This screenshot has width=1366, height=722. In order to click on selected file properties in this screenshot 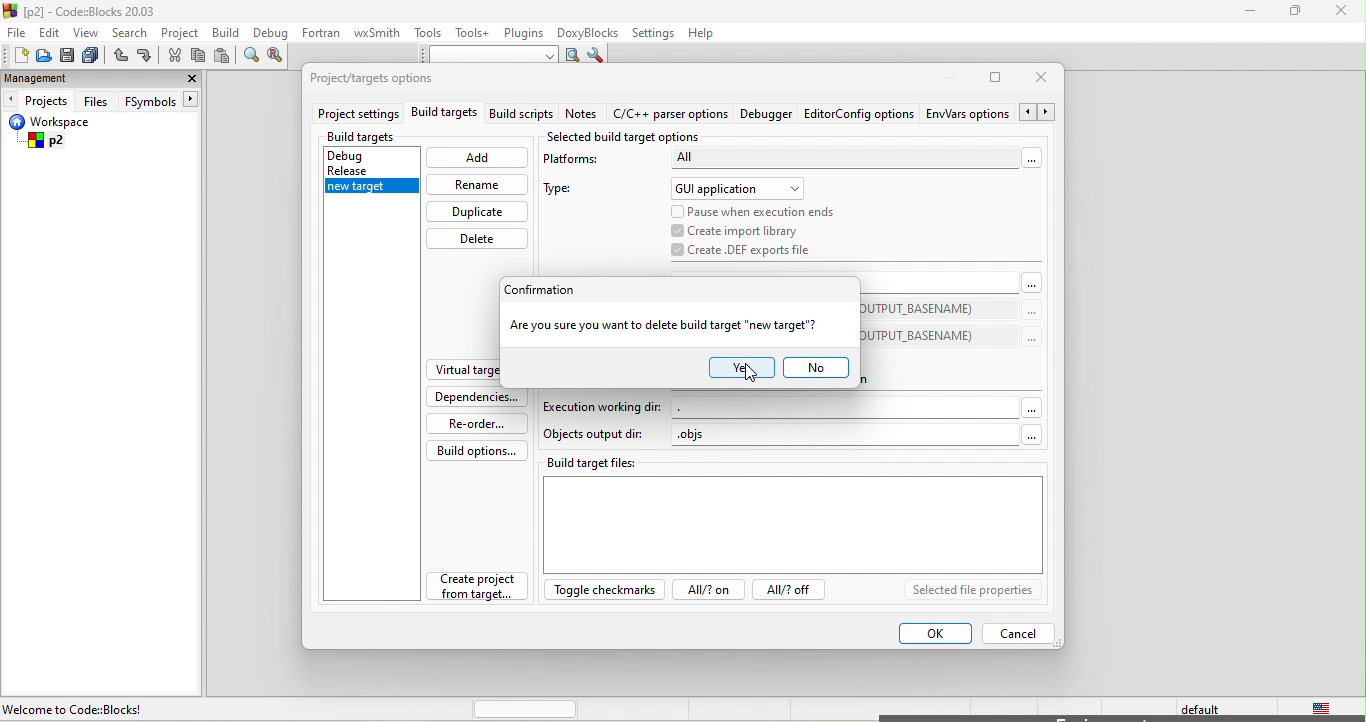, I will do `click(971, 591)`.